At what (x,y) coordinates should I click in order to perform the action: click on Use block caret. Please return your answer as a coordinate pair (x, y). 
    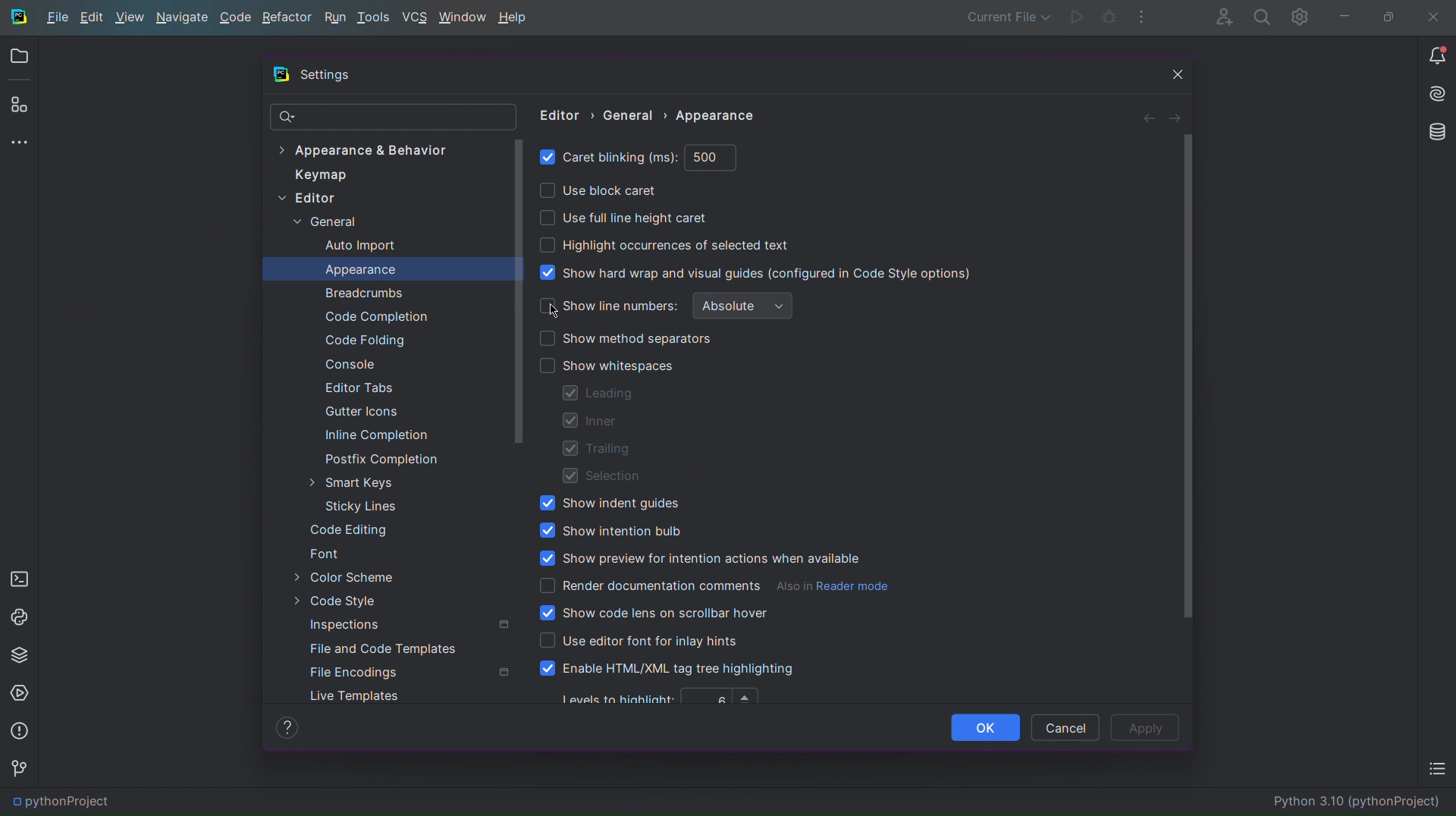
    Looking at the image, I should click on (598, 190).